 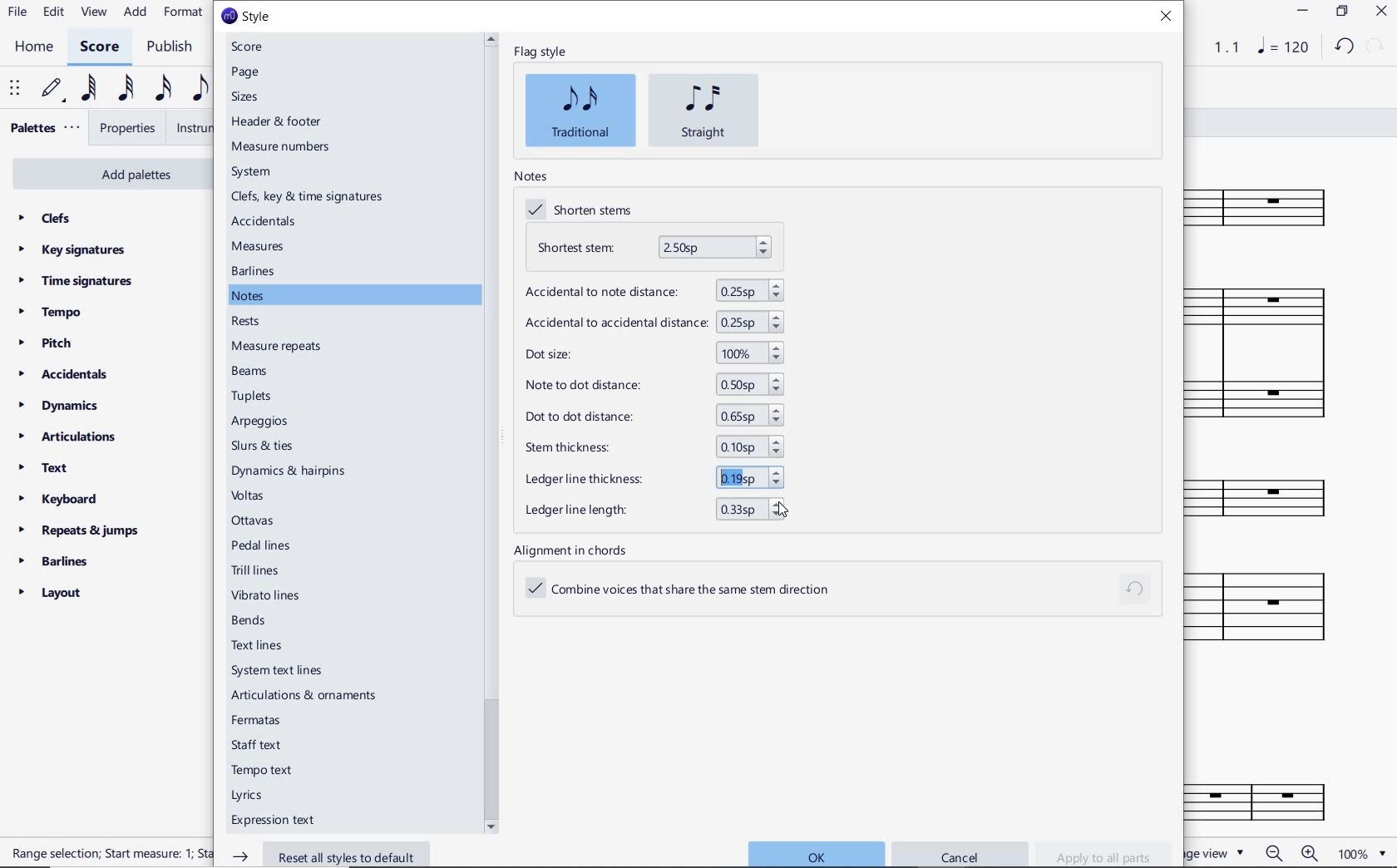 What do you see at coordinates (304, 693) in the screenshot?
I see `articulations & ornaments` at bounding box center [304, 693].